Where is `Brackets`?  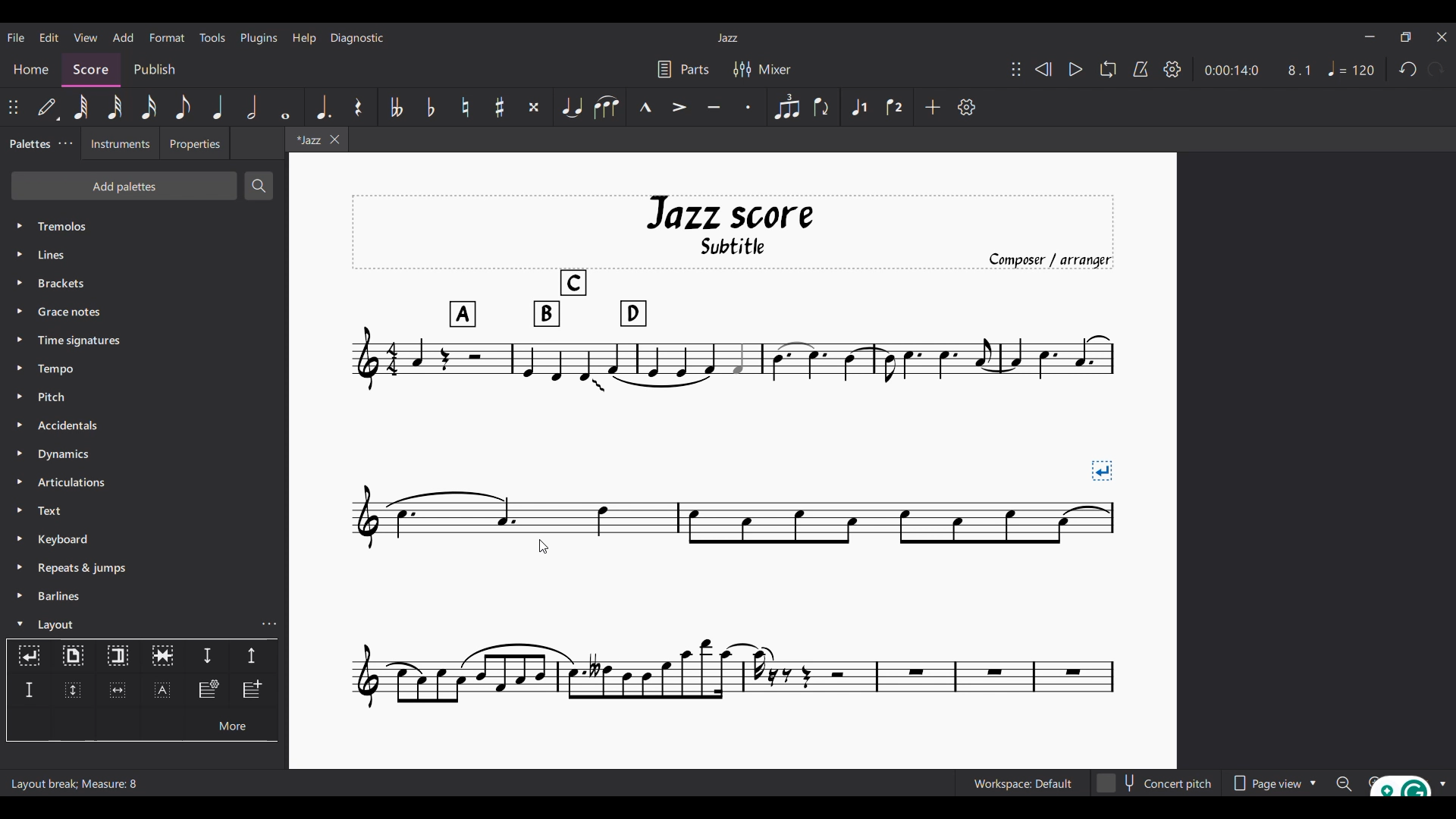
Brackets is located at coordinates (144, 283).